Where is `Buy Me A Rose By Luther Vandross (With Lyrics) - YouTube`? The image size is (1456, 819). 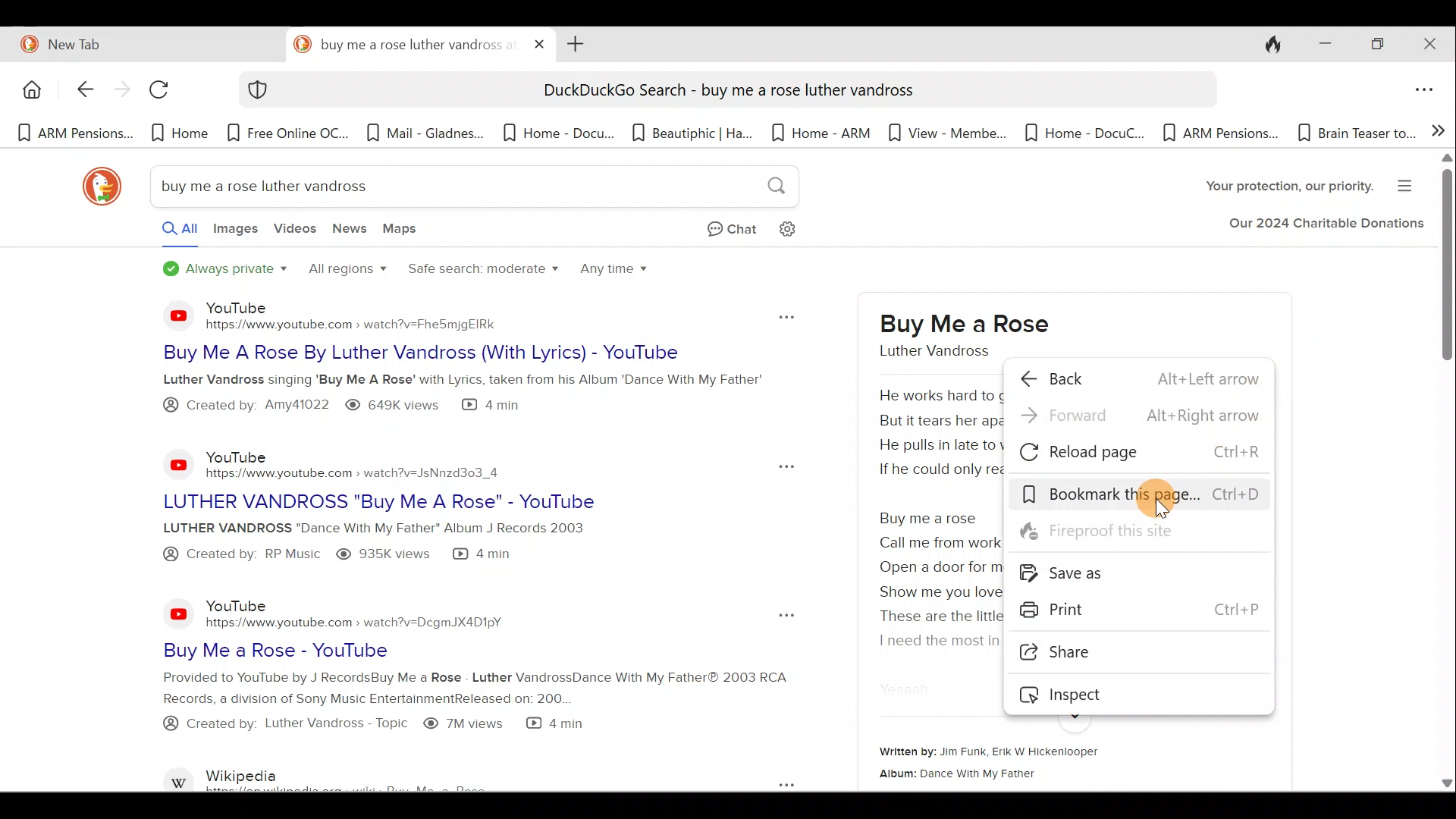
Buy Me A Rose By Luther Vandross (With Lyrics) - YouTube is located at coordinates (444, 353).